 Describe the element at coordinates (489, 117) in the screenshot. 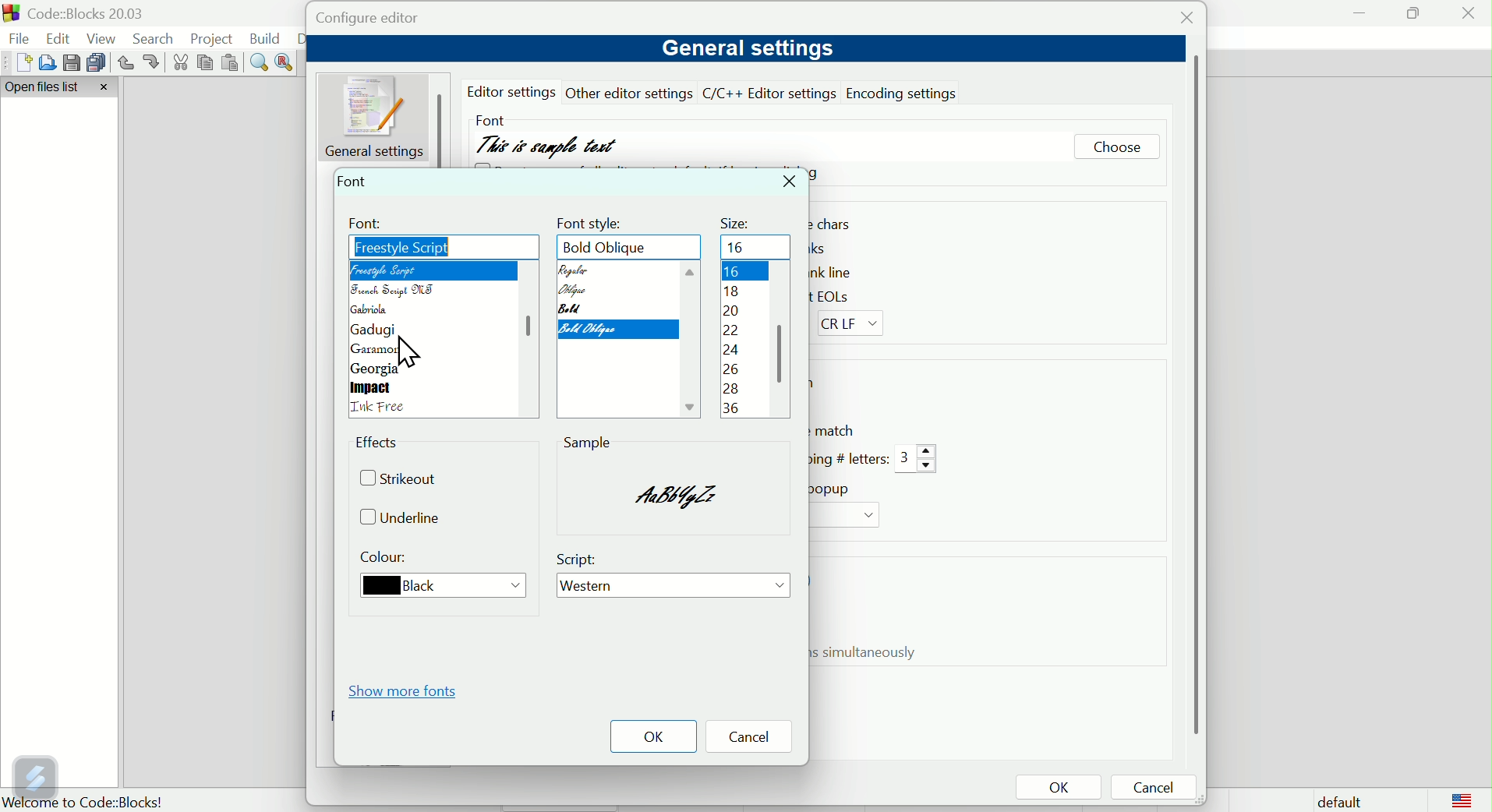

I see `Font` at that location.